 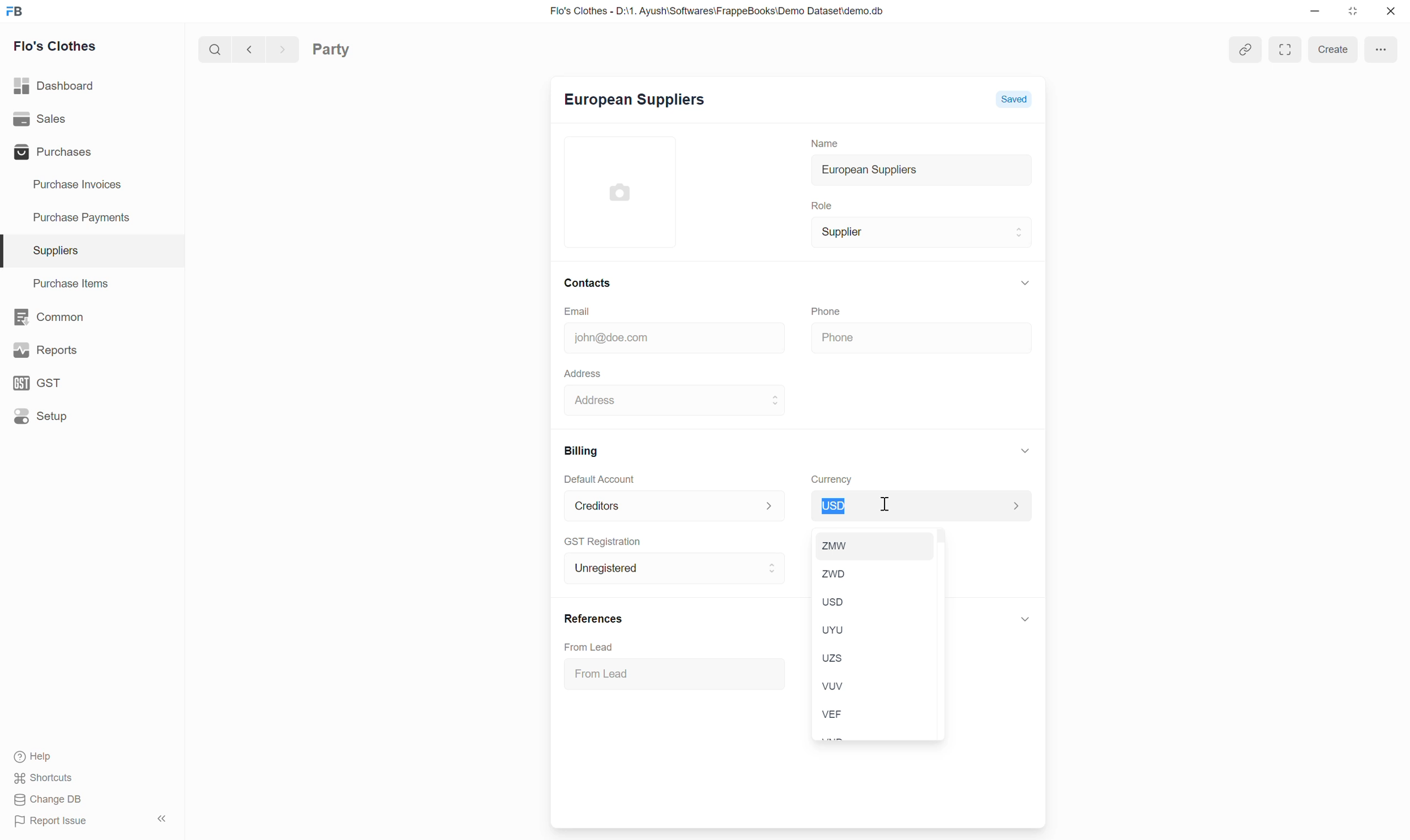 What do you see at coordinates (704, 9) in the screenshot?
I see `Flo's Clothes - D:\1. Ayush\Softwares\FrappeBooks\Demo Dataset\demo.db` at bounding box center [704, 9].